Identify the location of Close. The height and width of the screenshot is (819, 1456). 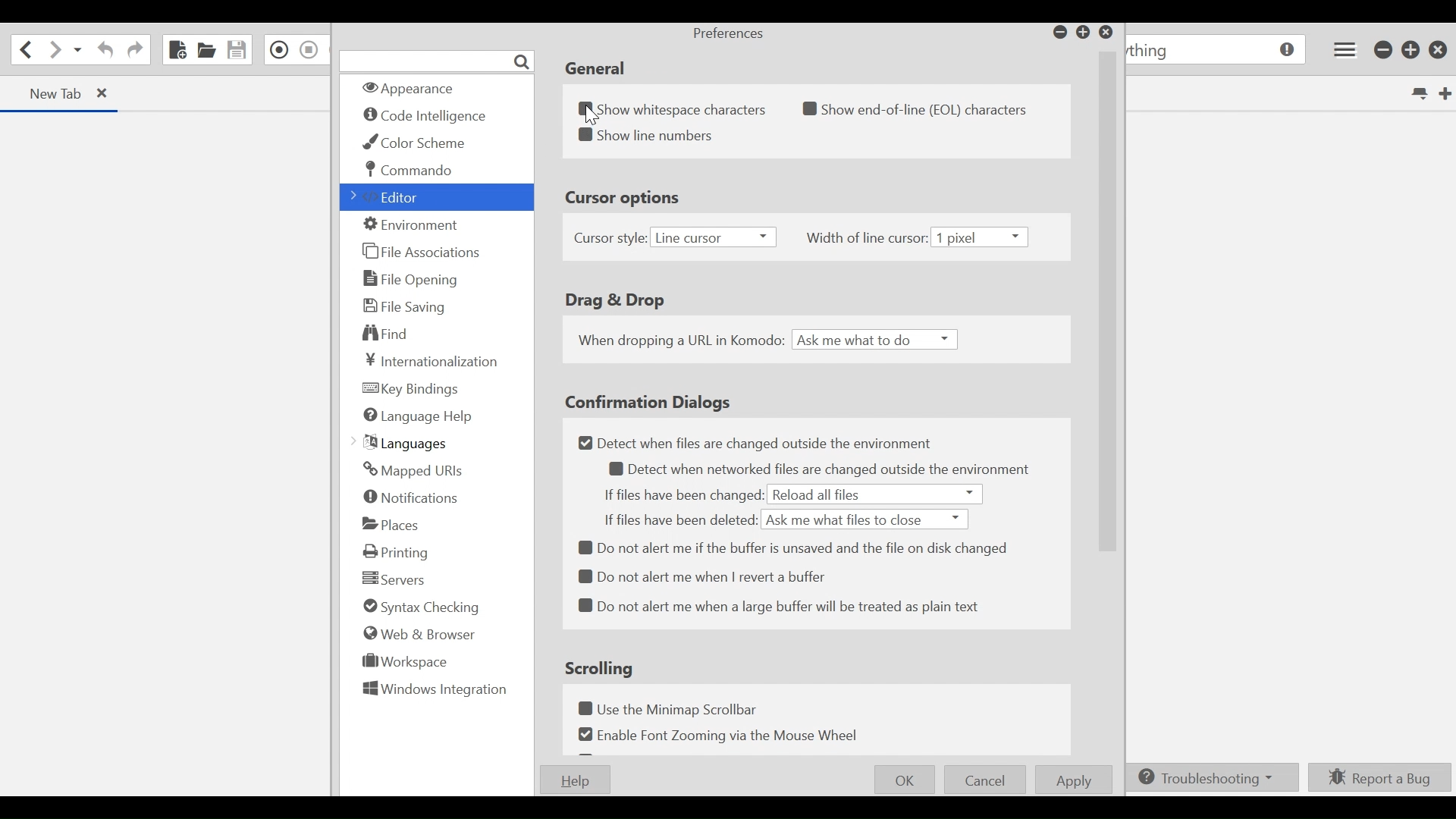
(1108, 33).